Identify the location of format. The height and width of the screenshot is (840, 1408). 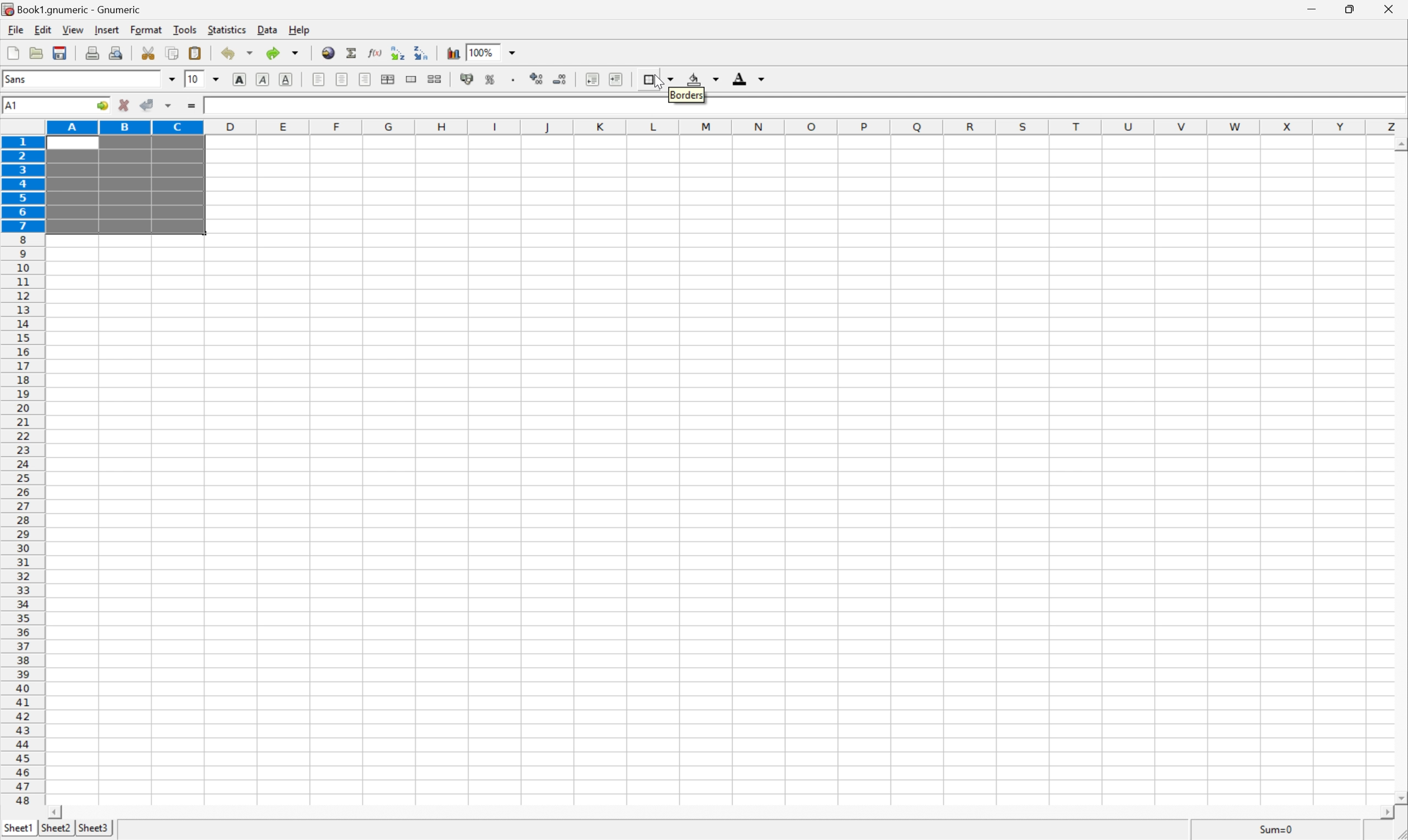
(146, 29).